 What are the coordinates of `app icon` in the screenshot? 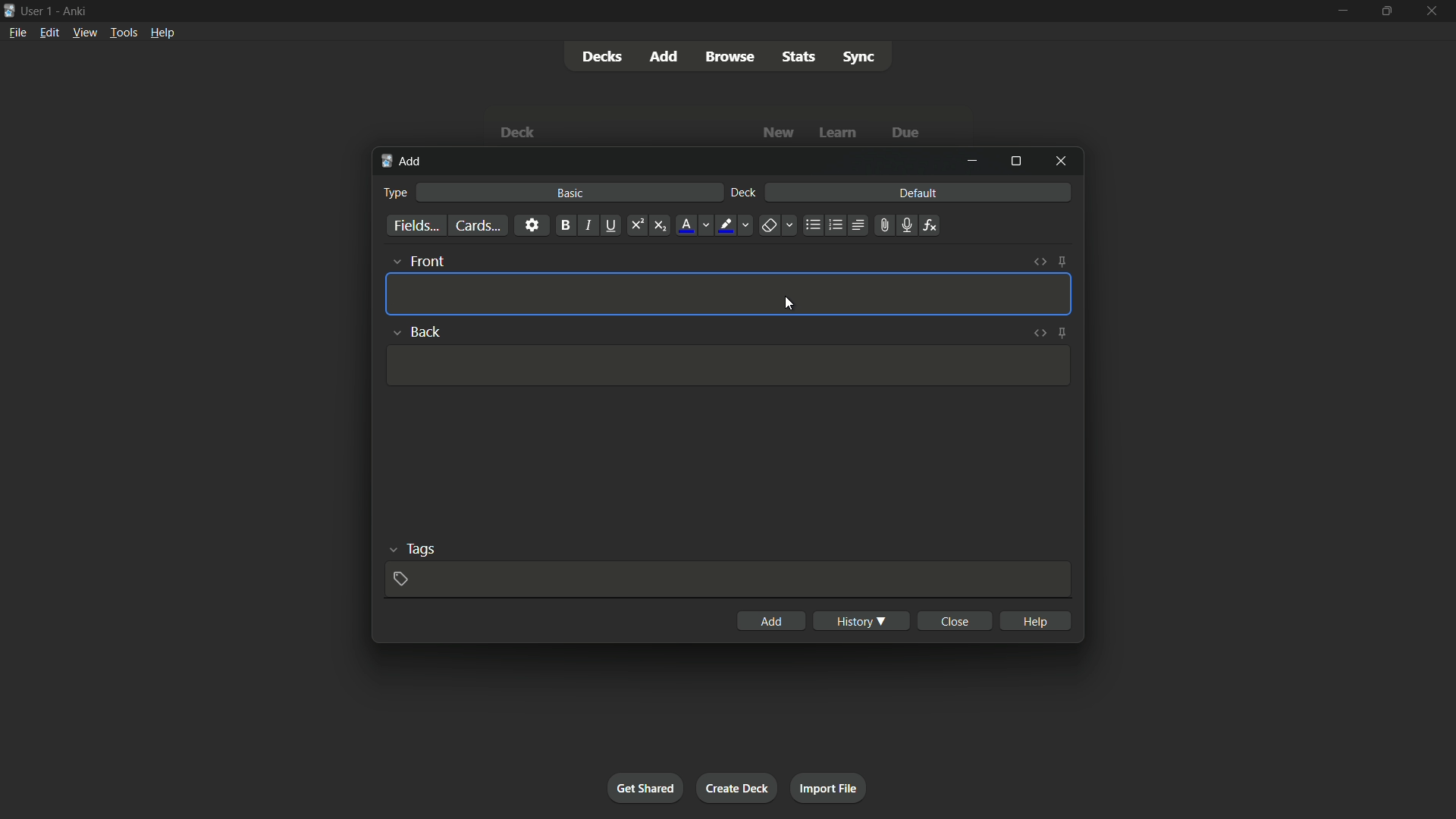 It's located at (9, 9).